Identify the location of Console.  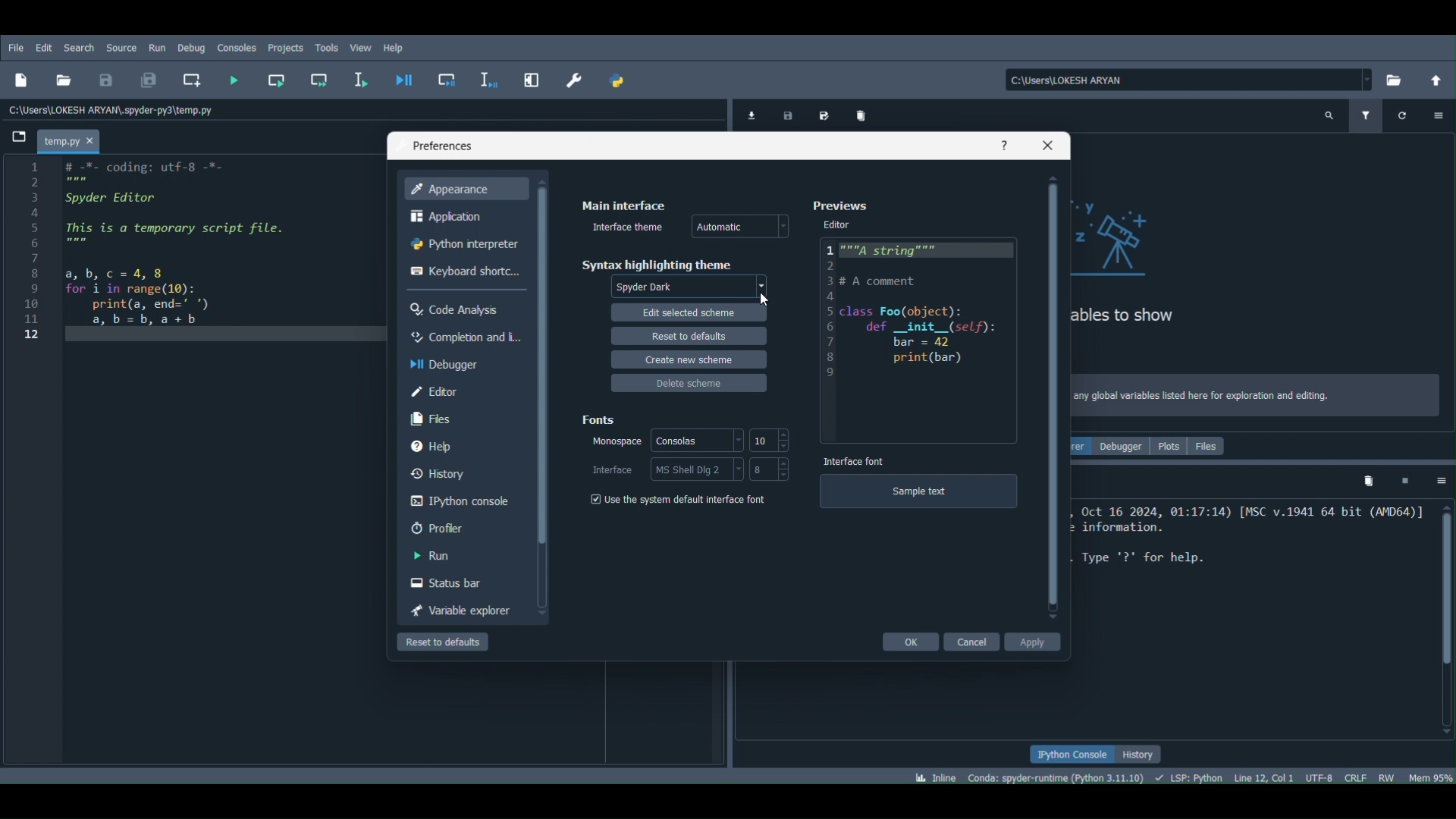
(233, 47).